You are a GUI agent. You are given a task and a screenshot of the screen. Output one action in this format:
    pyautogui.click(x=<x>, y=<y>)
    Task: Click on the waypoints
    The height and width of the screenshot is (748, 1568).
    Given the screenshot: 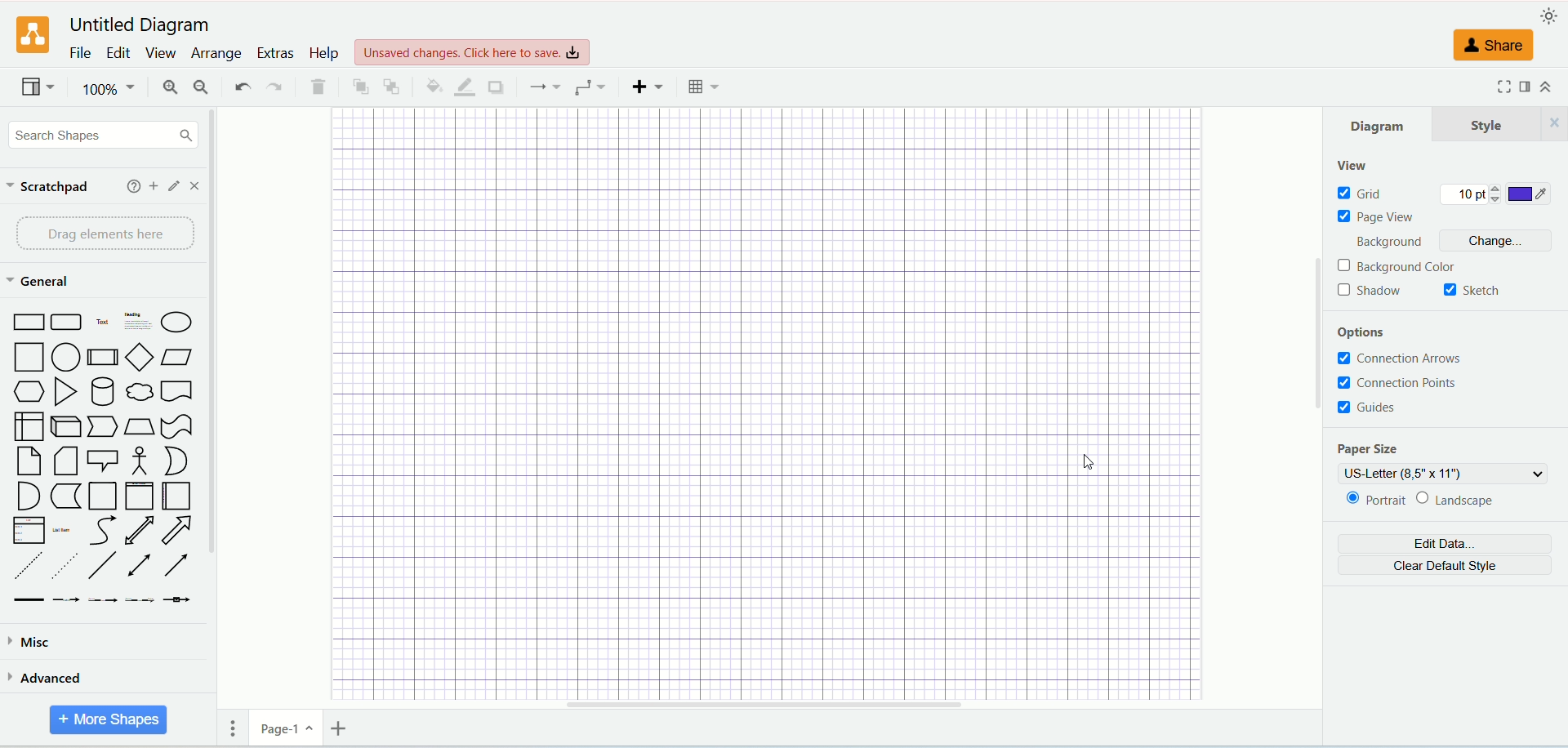 What is the action you would take?
    pyautogui.click(x=589, y=88)
    